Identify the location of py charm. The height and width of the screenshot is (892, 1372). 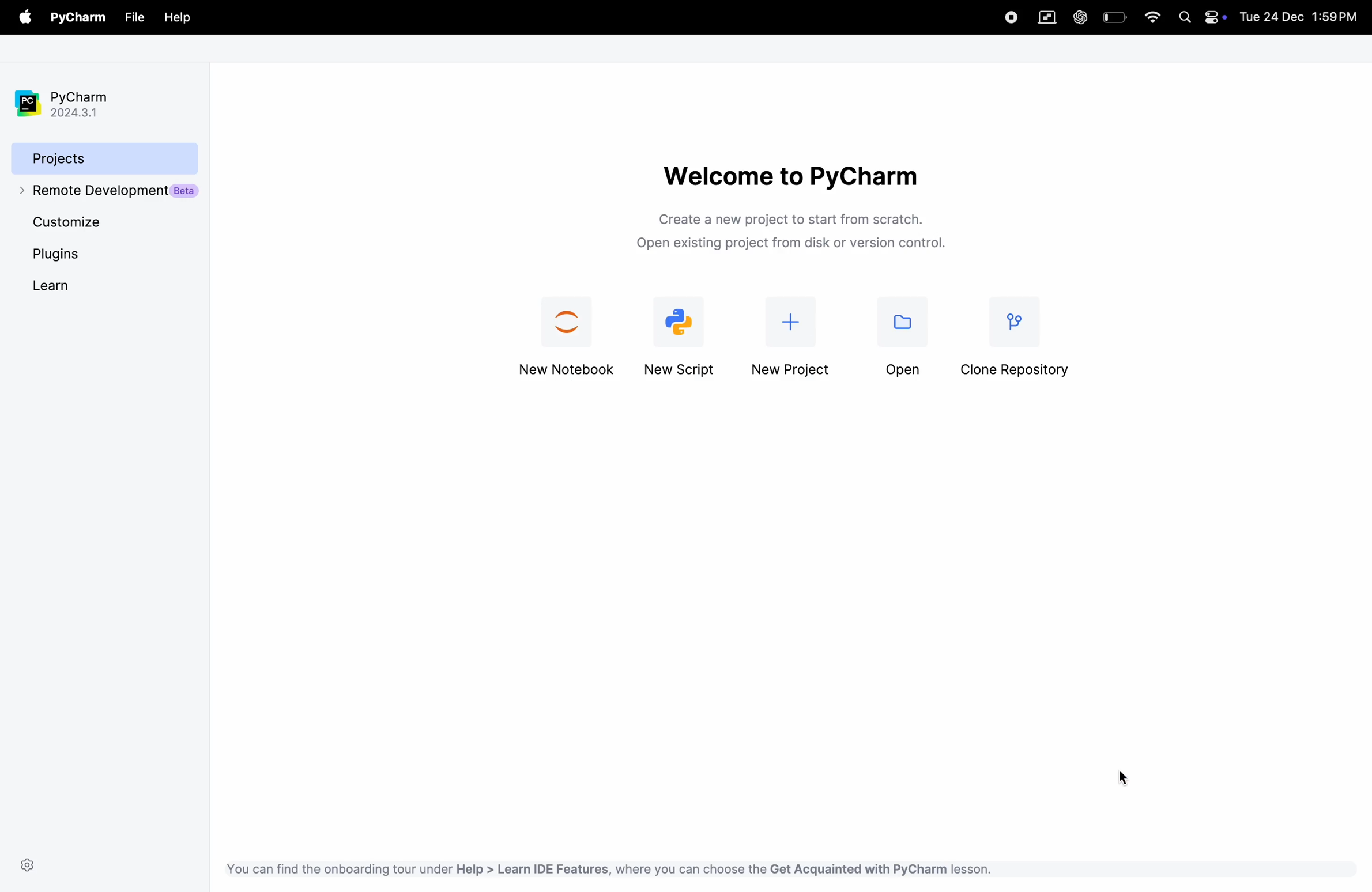
(78, 16).